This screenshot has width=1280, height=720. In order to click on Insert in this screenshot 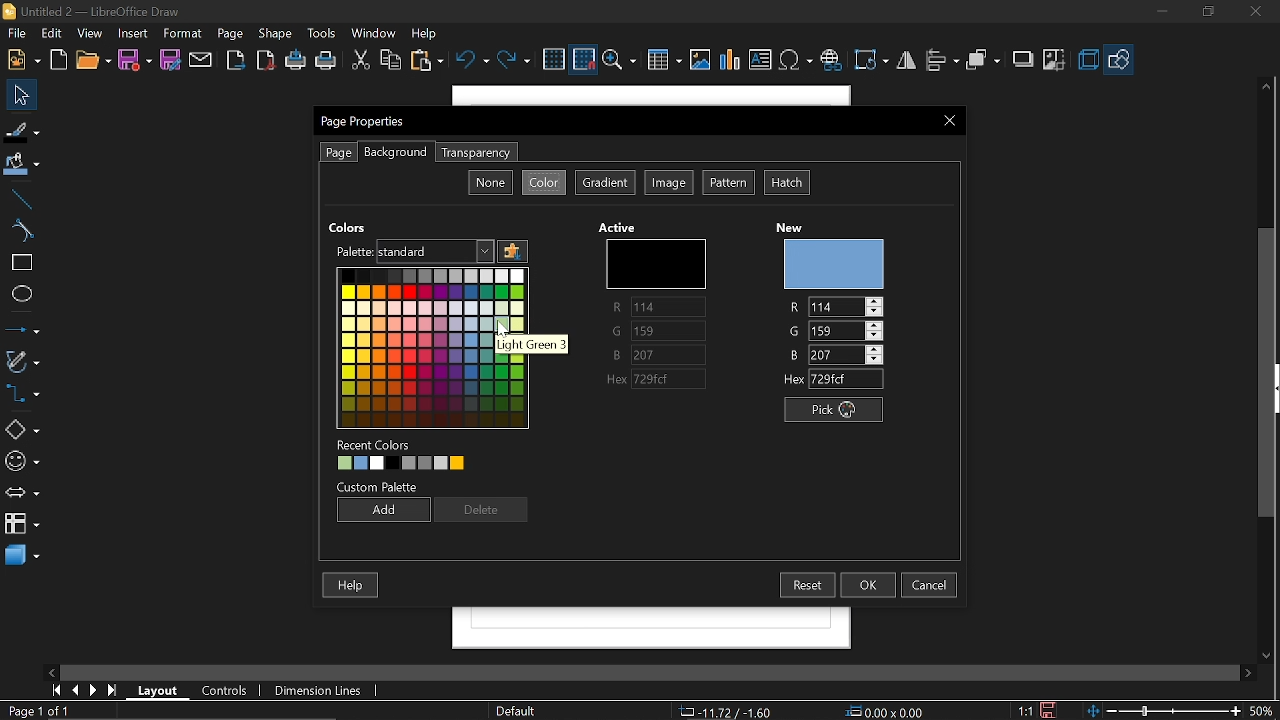, I will do `click(134, 34)`.